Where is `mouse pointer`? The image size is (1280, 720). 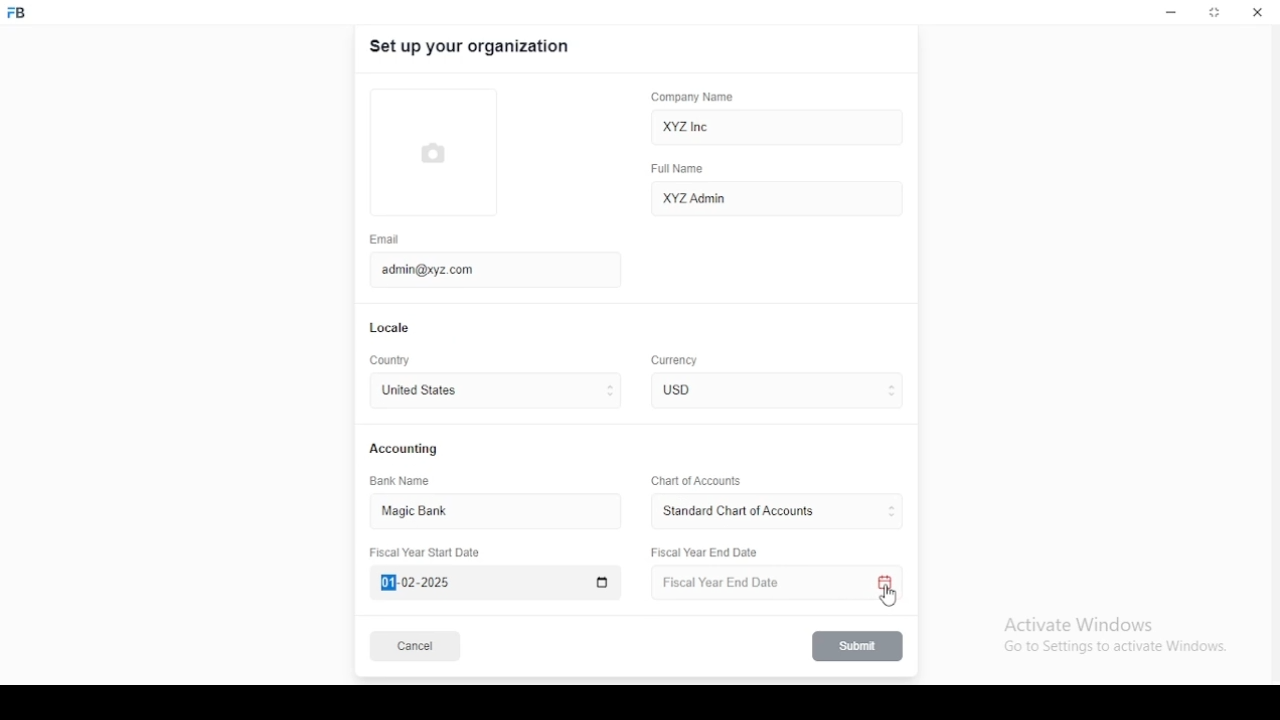 mouse pointer is located at coordinates (883, 598).